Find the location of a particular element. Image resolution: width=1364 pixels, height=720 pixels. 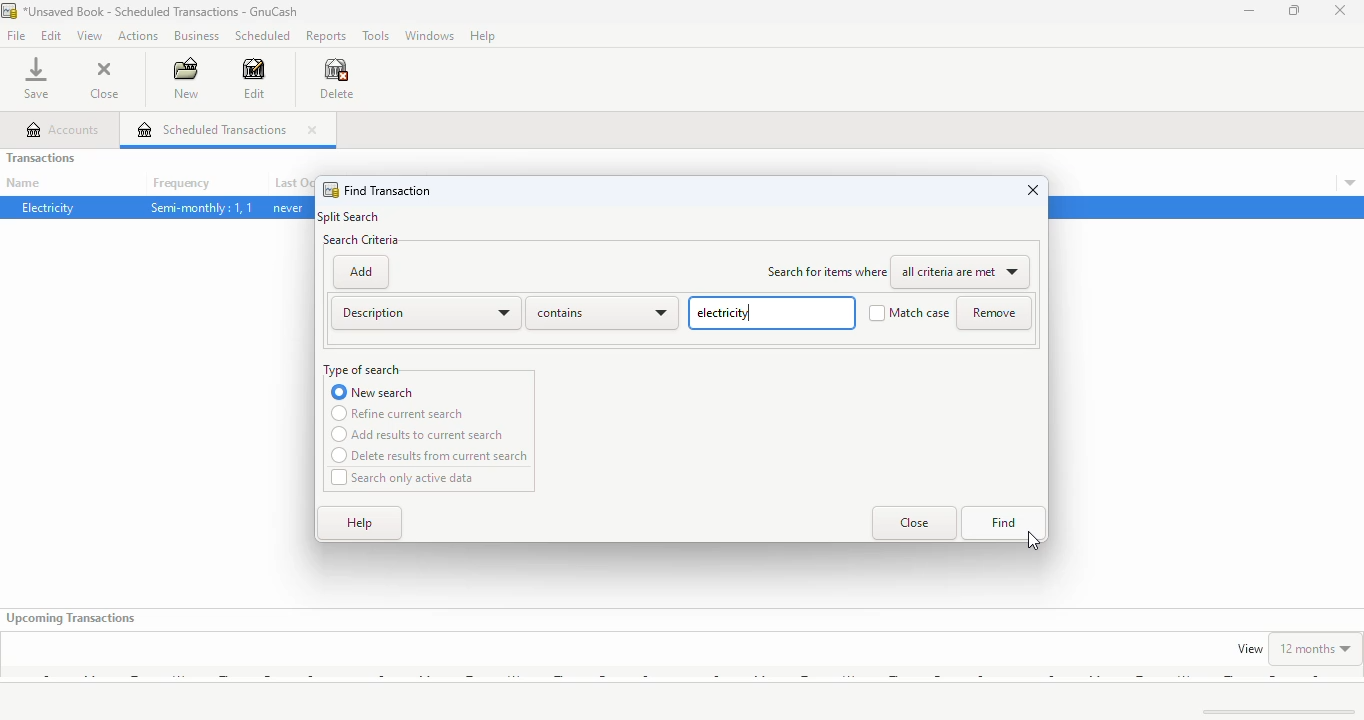

add is located at coordinates (360, 272).